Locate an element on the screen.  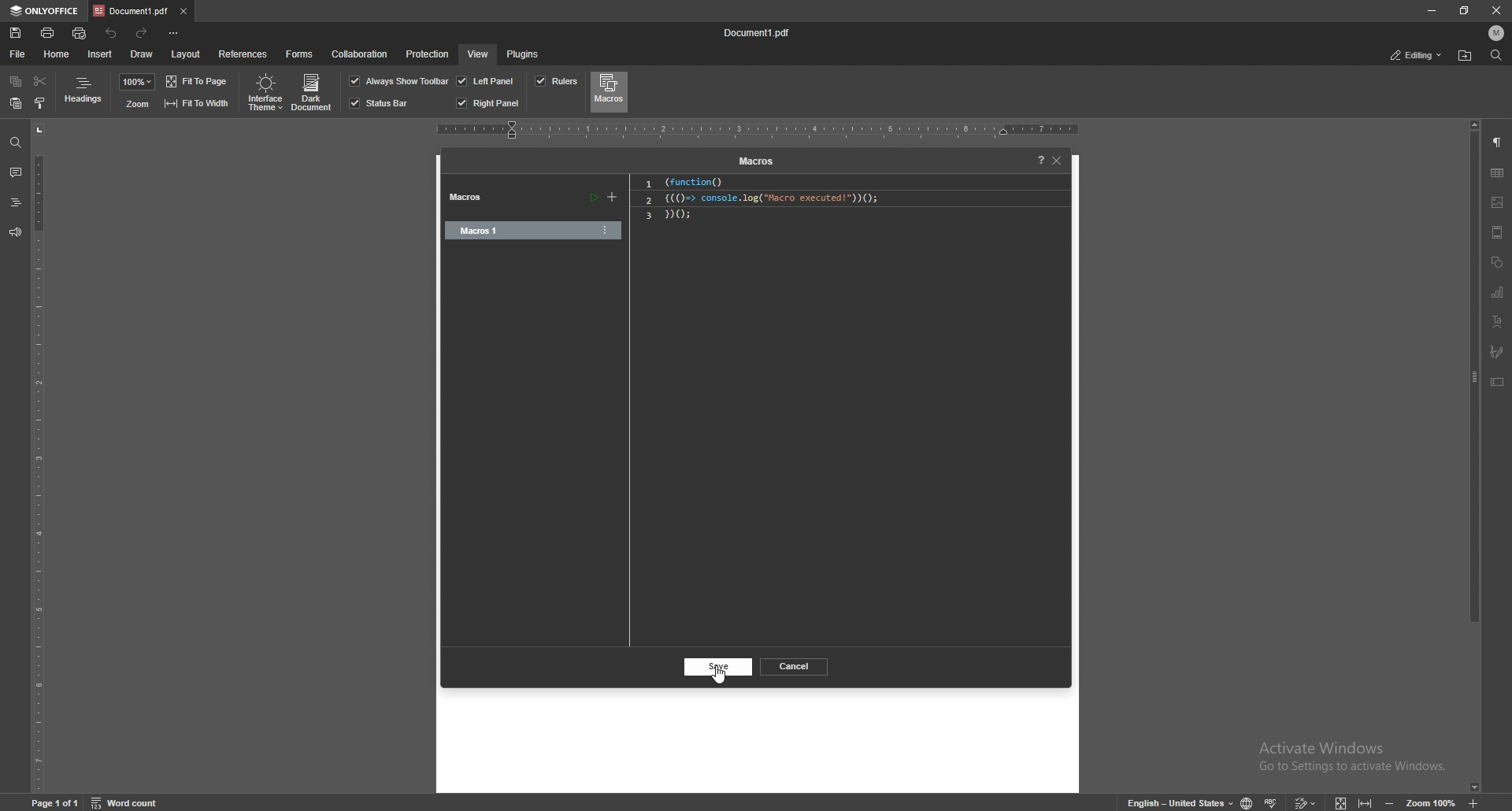
save is located at coordinates (16, 33).